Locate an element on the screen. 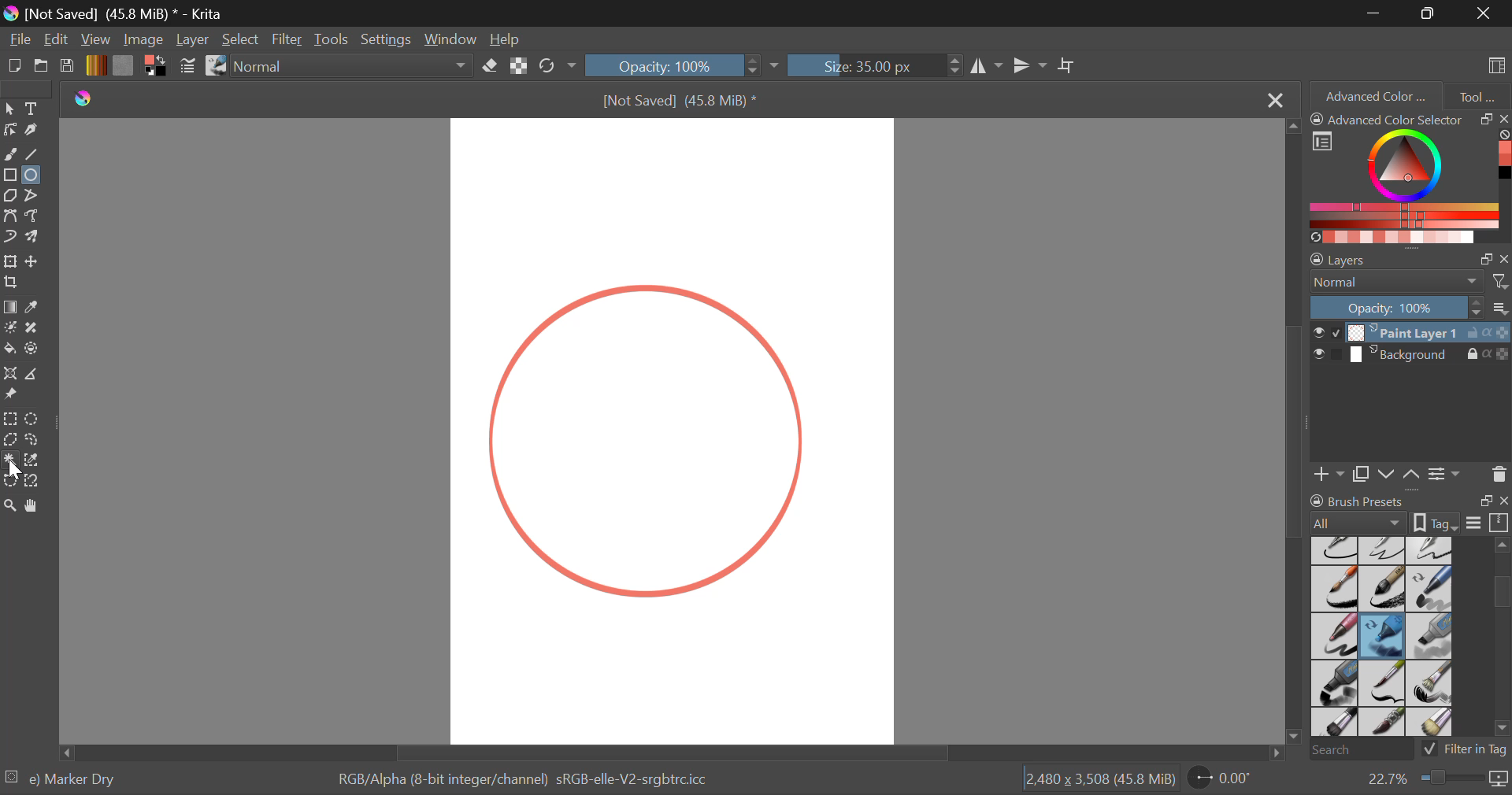 The height and width of the screenshot is (795, 1512). Krita Logo is located at coordinates (82, 99).